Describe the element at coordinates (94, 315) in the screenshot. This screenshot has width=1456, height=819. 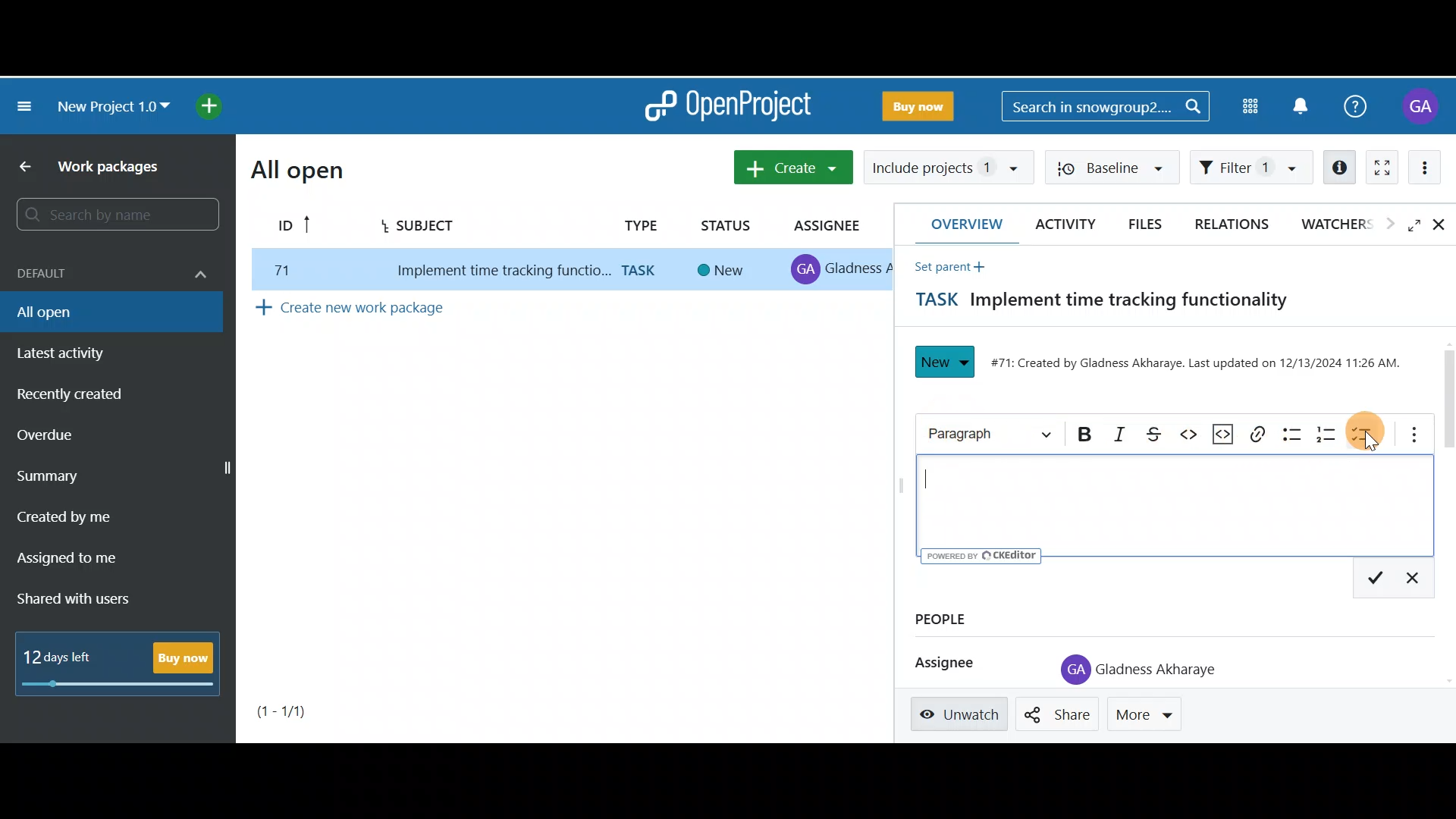
I see `All open` at that location.